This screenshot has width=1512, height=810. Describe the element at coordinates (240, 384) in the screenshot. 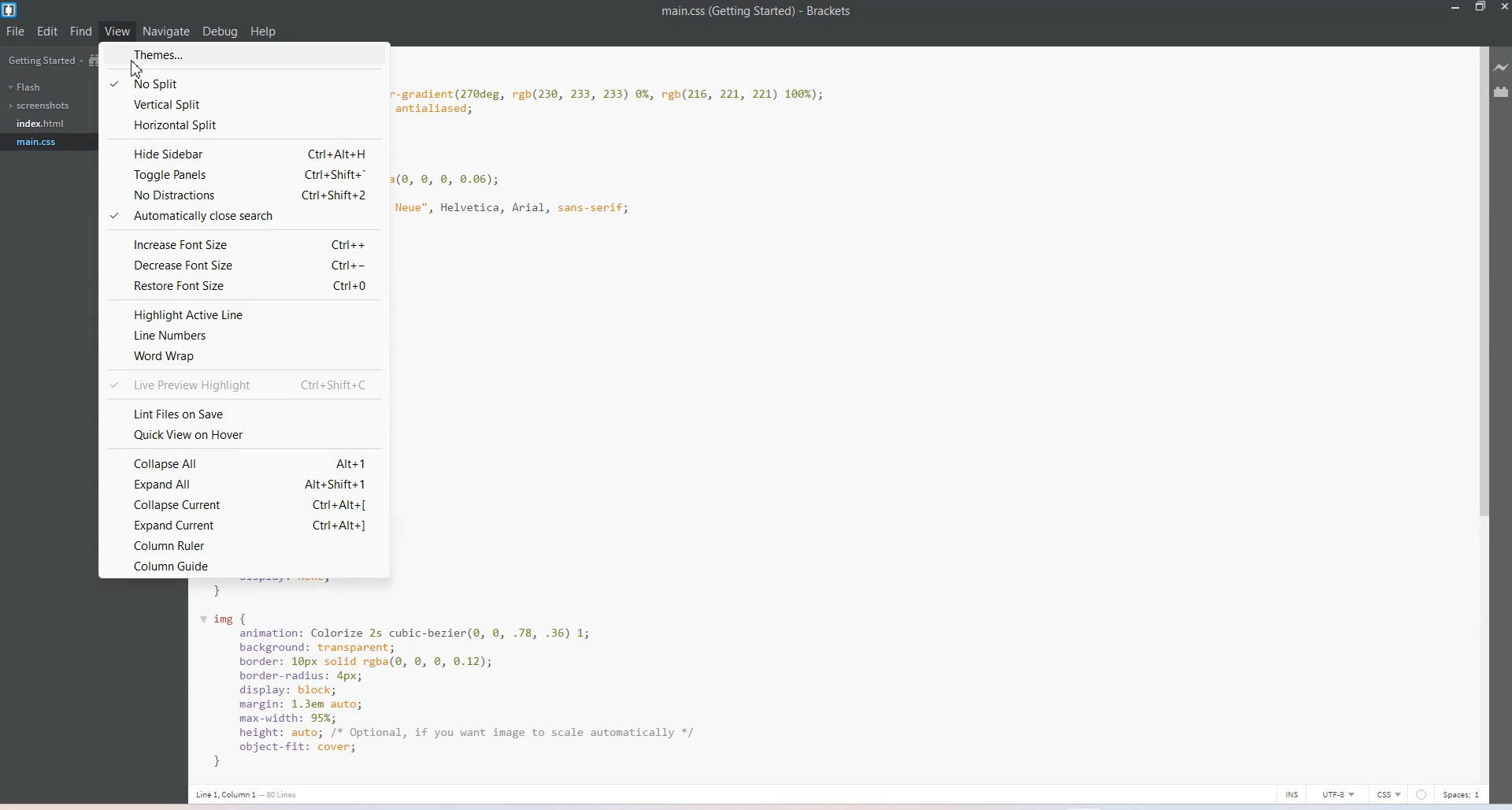

I see `Live preview Highlight` at that location.